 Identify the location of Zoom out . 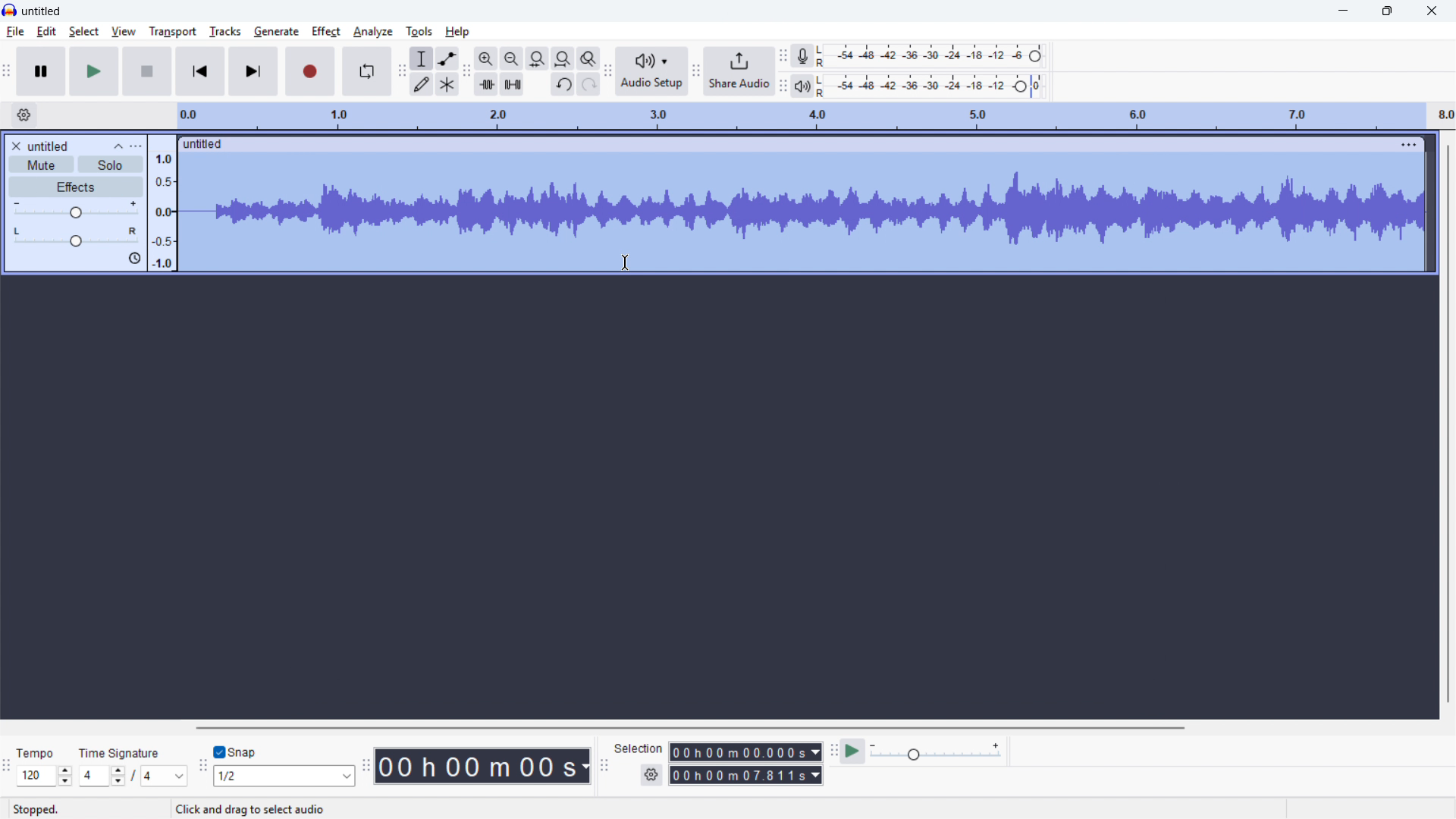
(511, 58).